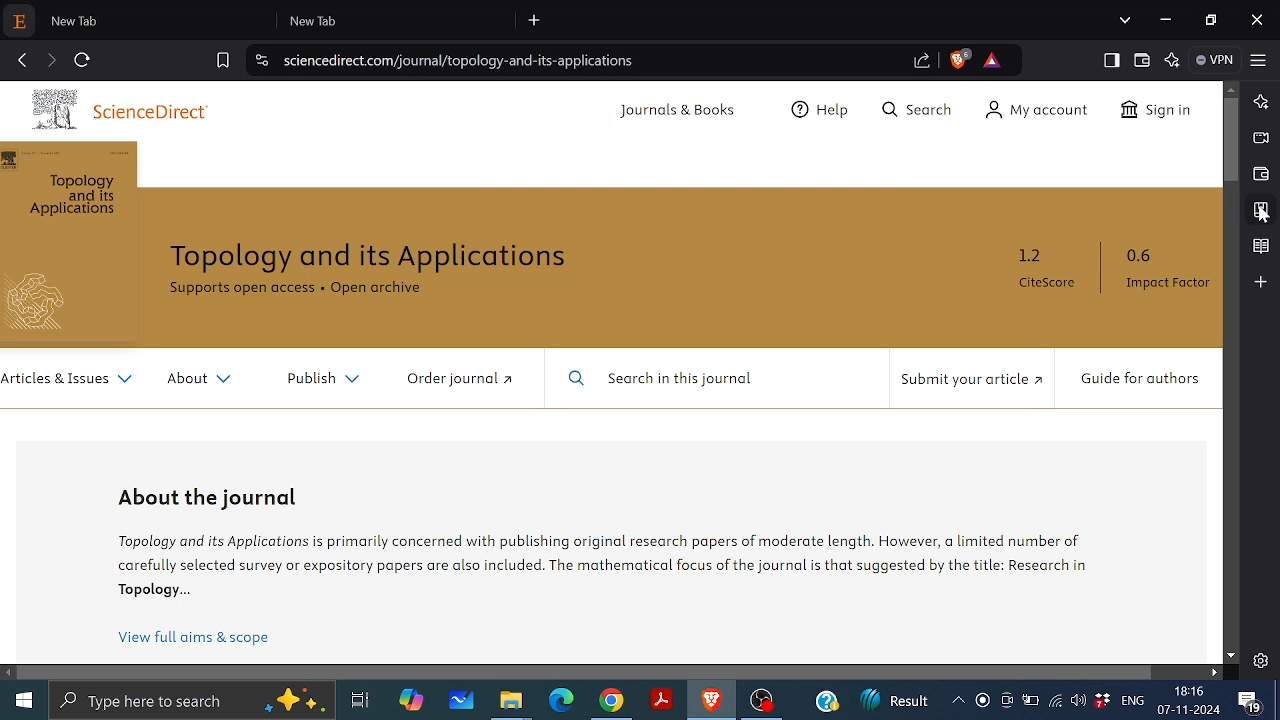 The height and width of the screenshot is (720, 1280). What do you see at coordinates (1133, 701) in the screenshot?
I see `` at bounding box center [1133, 701].